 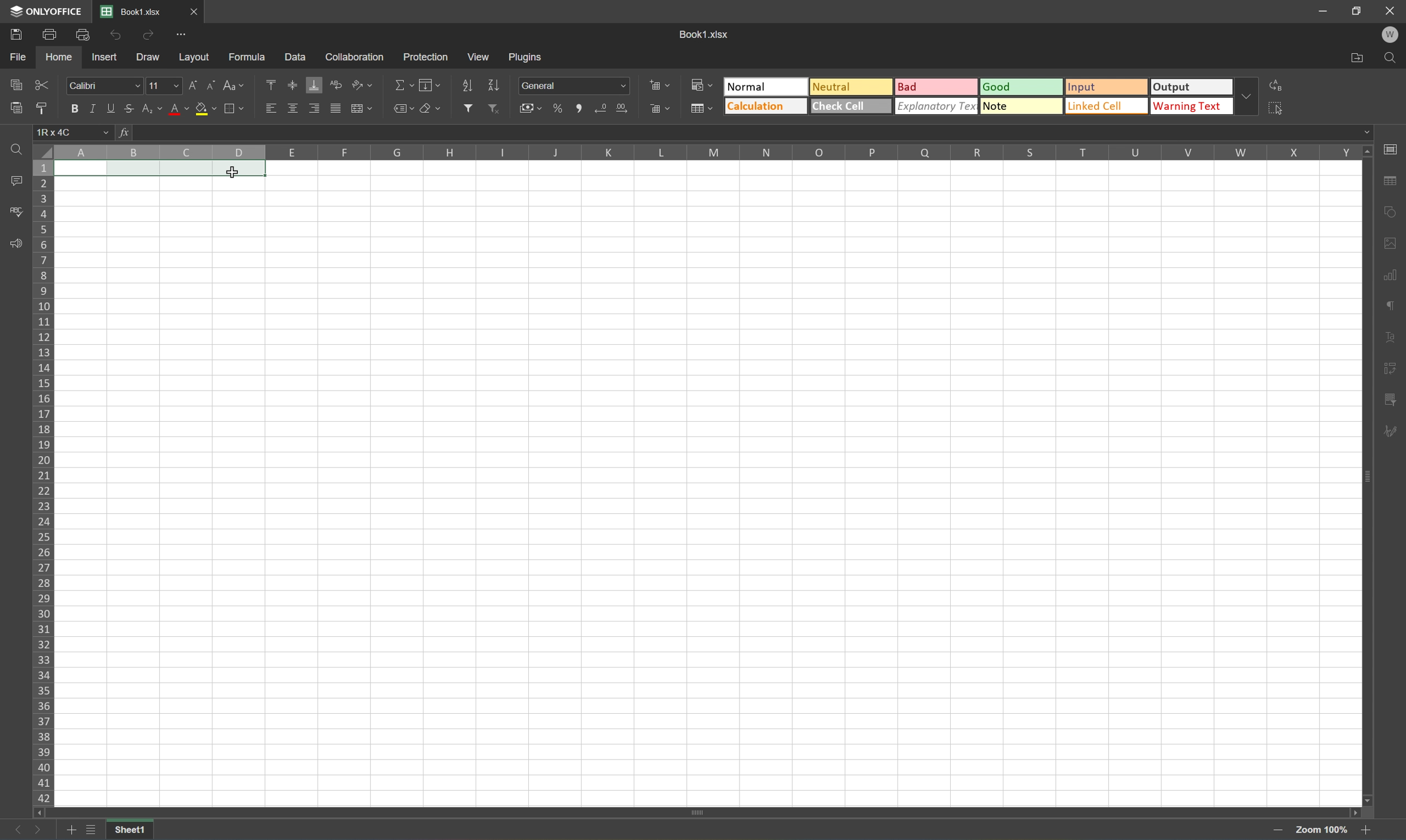 What do you see at coordinates (293, 85) in the screenshot?
I see `Align middle` at bounding box center [293, 85].